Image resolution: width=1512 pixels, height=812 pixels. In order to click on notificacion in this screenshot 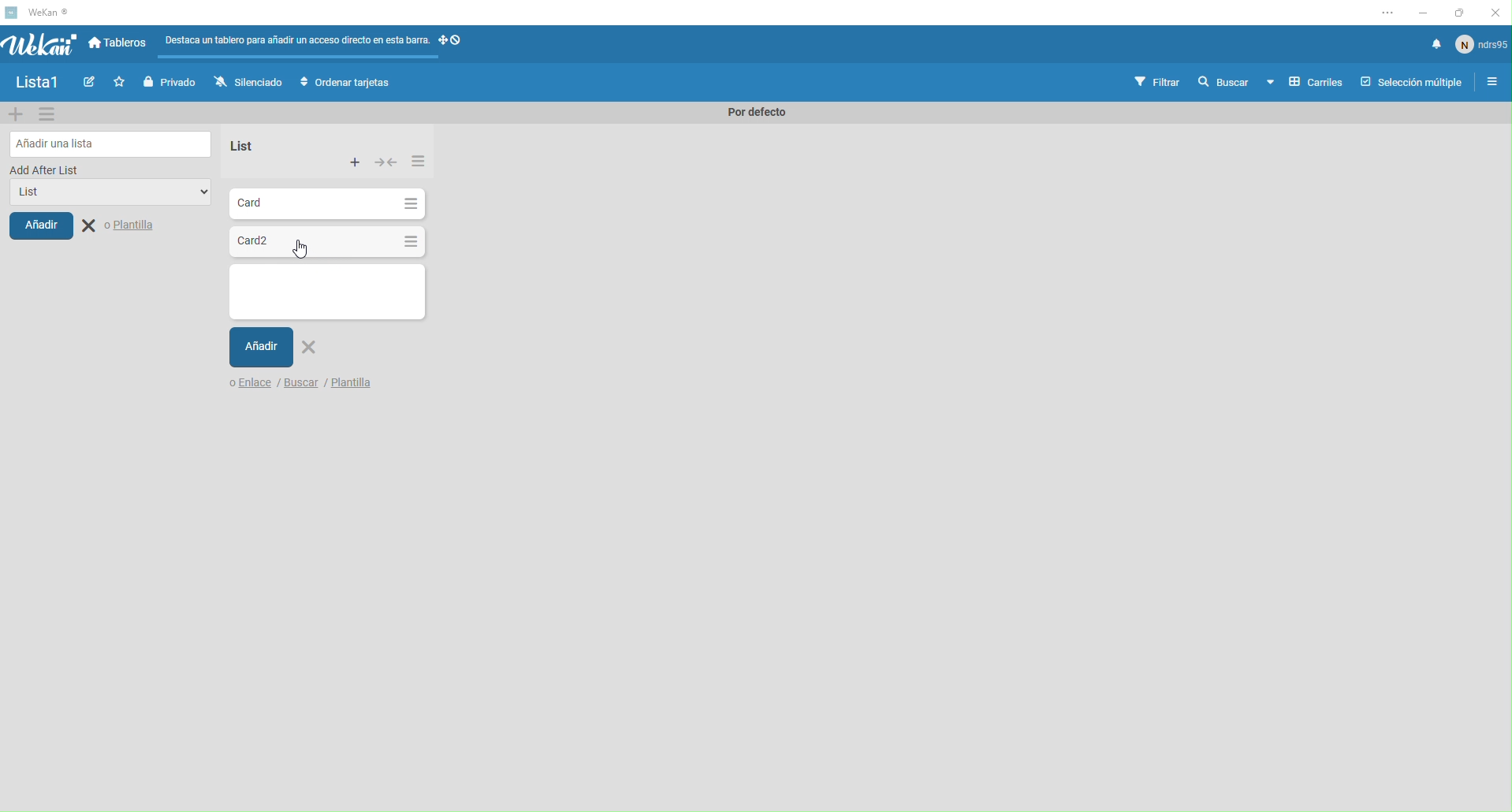, I will do `click(1431, 48)`.